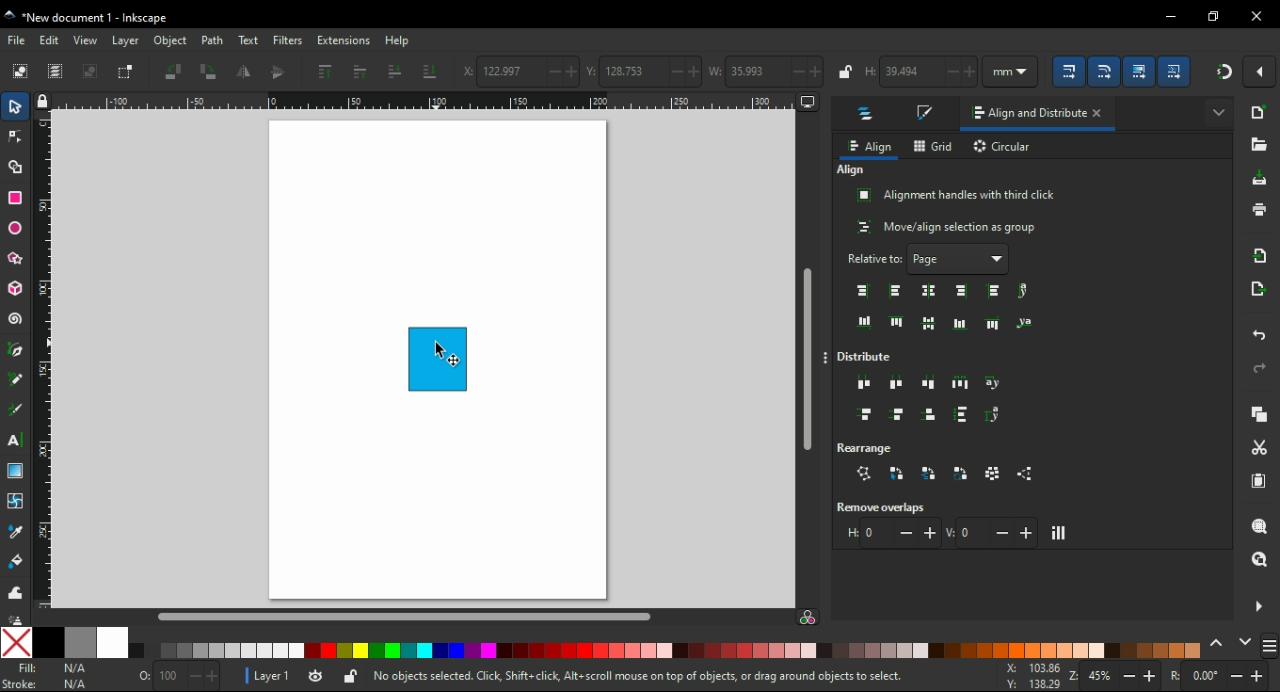 The width and height of the screenshot is (1280, 692). Describe the element at coordinates (845, 71) in the screenshot. I see `lock` at that location.